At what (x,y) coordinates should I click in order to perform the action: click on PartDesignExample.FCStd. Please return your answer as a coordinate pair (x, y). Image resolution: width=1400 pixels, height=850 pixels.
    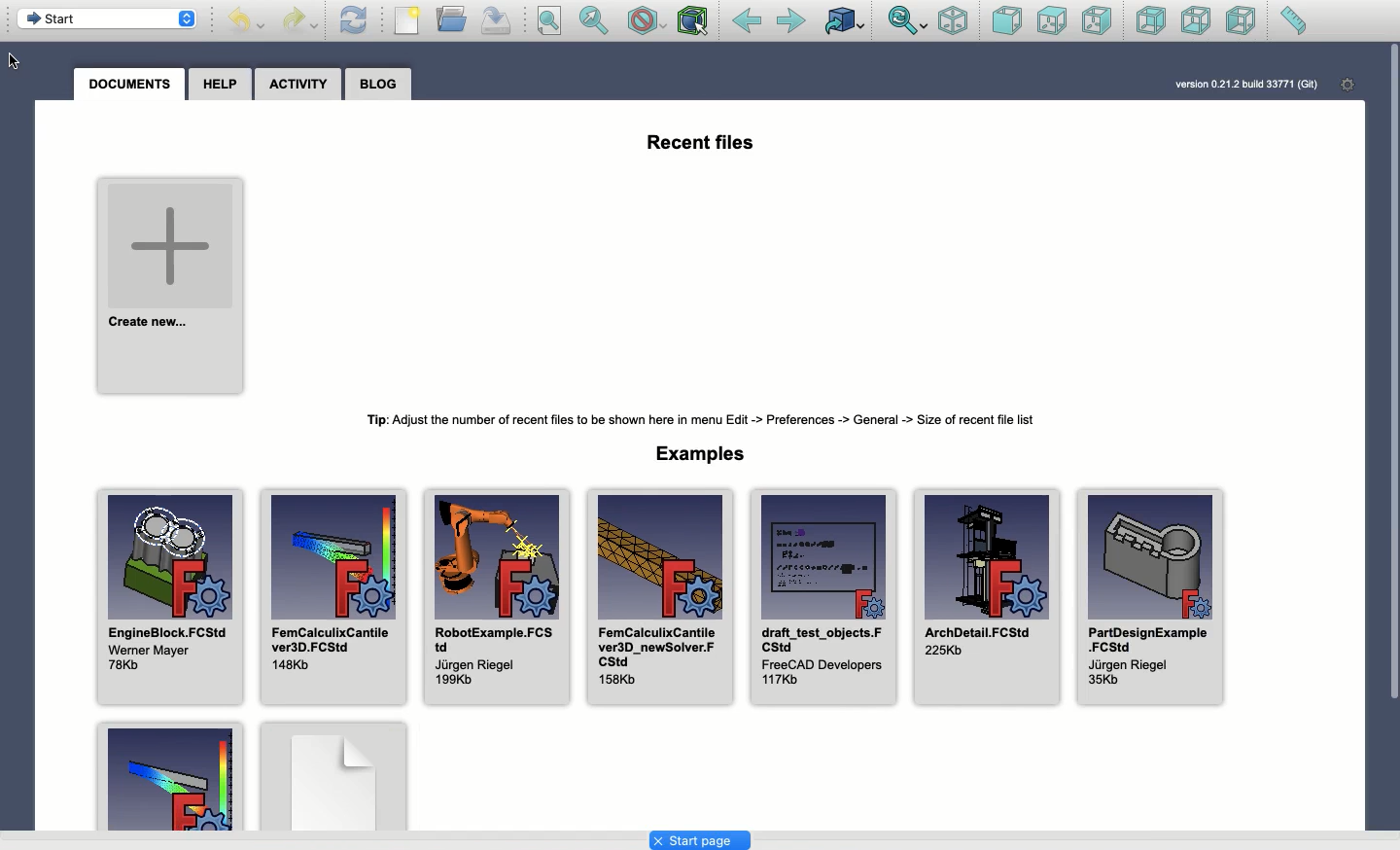
    Looking at the image, I should click on (1150, 596).